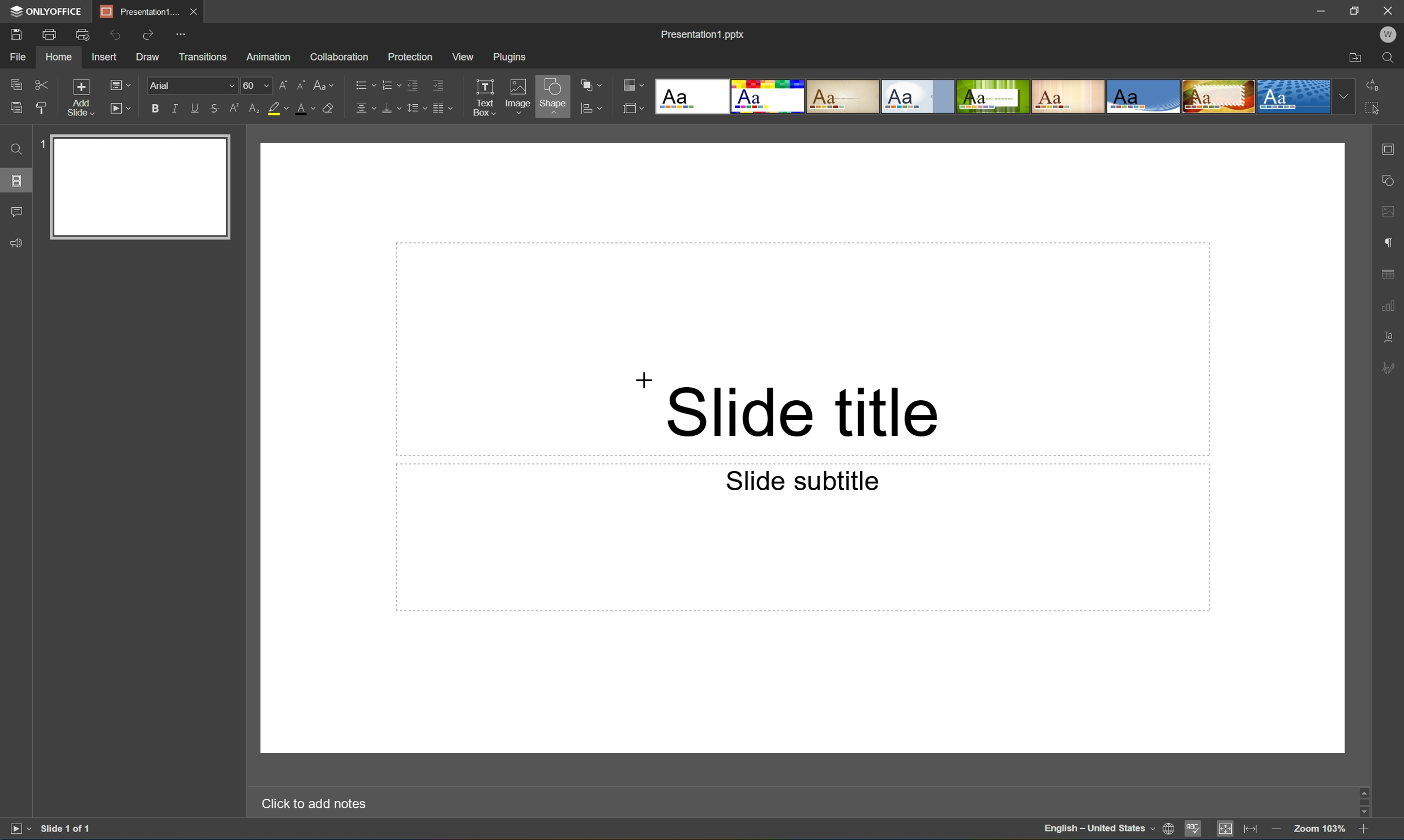  I want to click on Start slideshow, so click(122, 109).